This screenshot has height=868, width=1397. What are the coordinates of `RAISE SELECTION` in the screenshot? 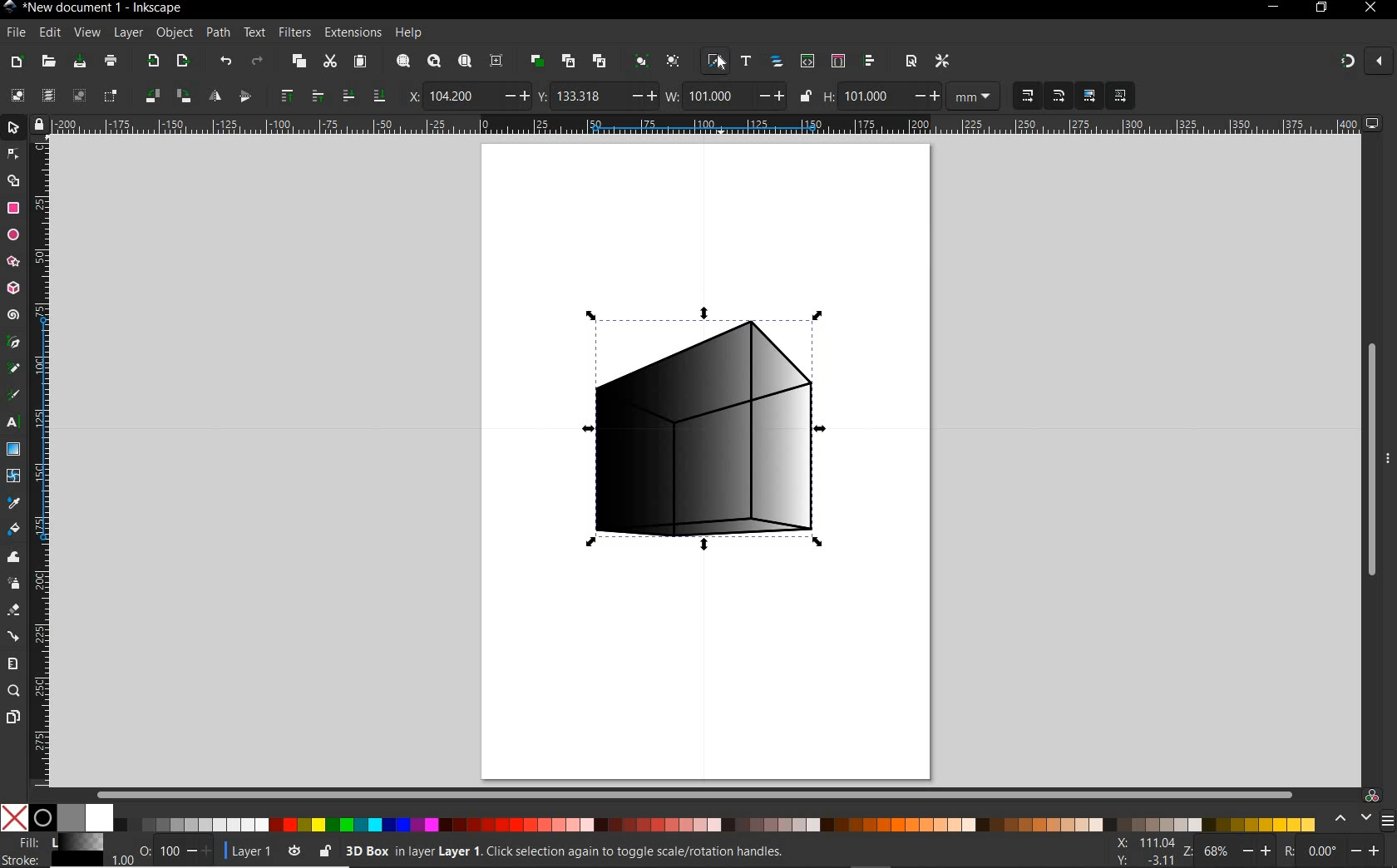 It's located at (317, 95).